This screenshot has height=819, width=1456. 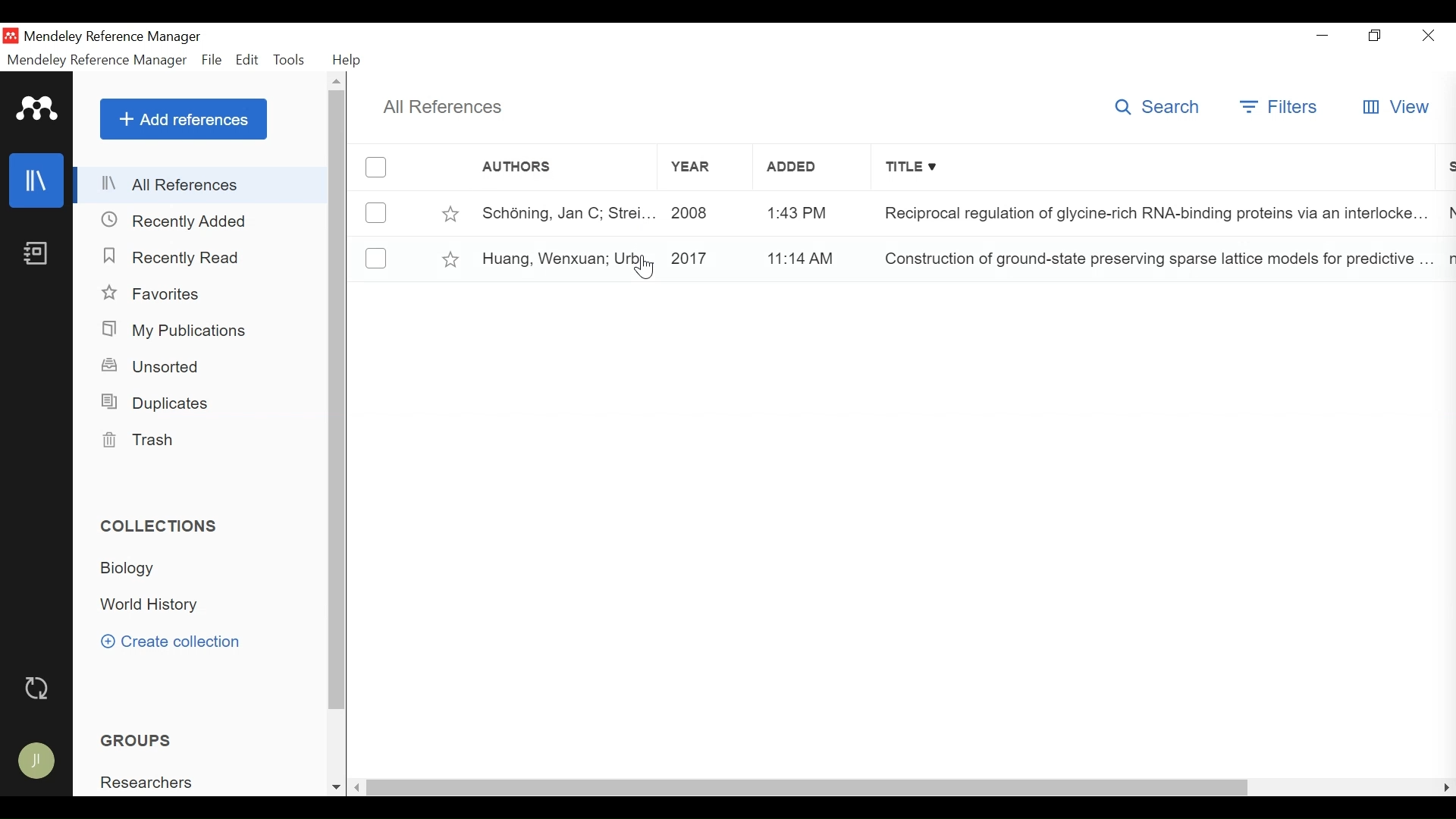 What do you see at coordinates (1154, 212) in the screenshot?
I see `Title` at bounding box center [1154, 212].